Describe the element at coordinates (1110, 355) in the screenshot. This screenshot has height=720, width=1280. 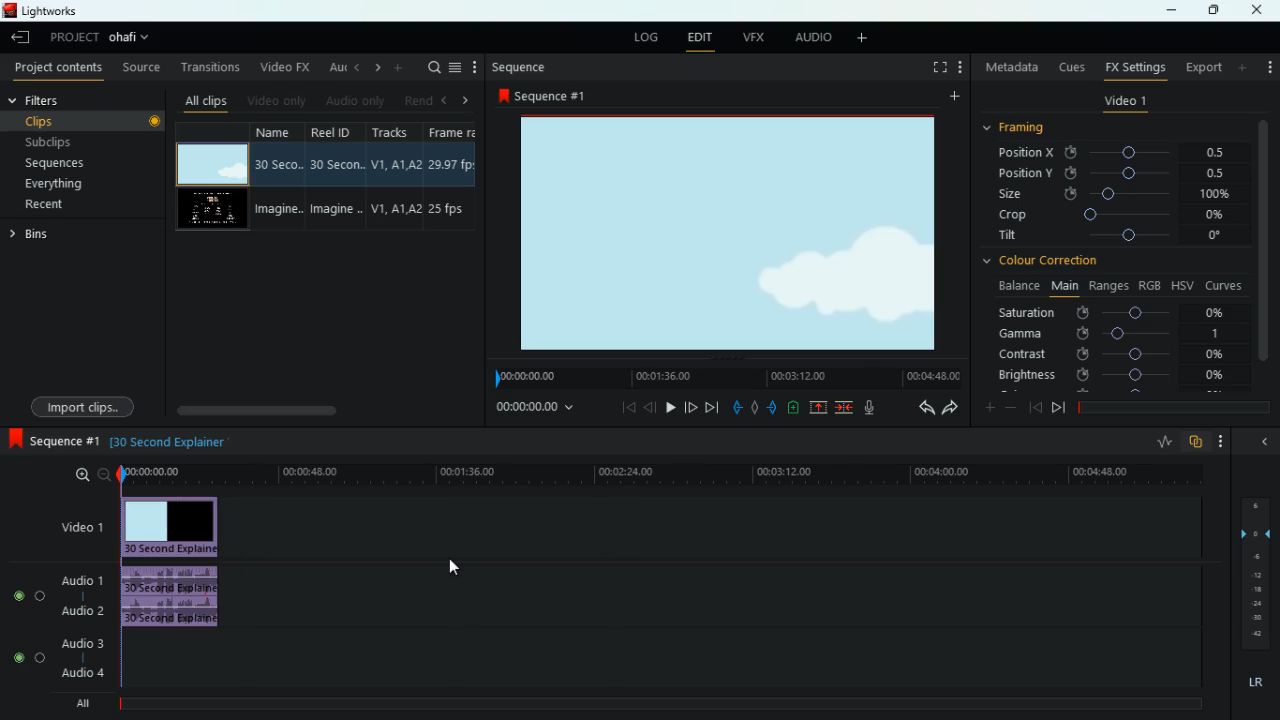
I see `contrast` at that location.